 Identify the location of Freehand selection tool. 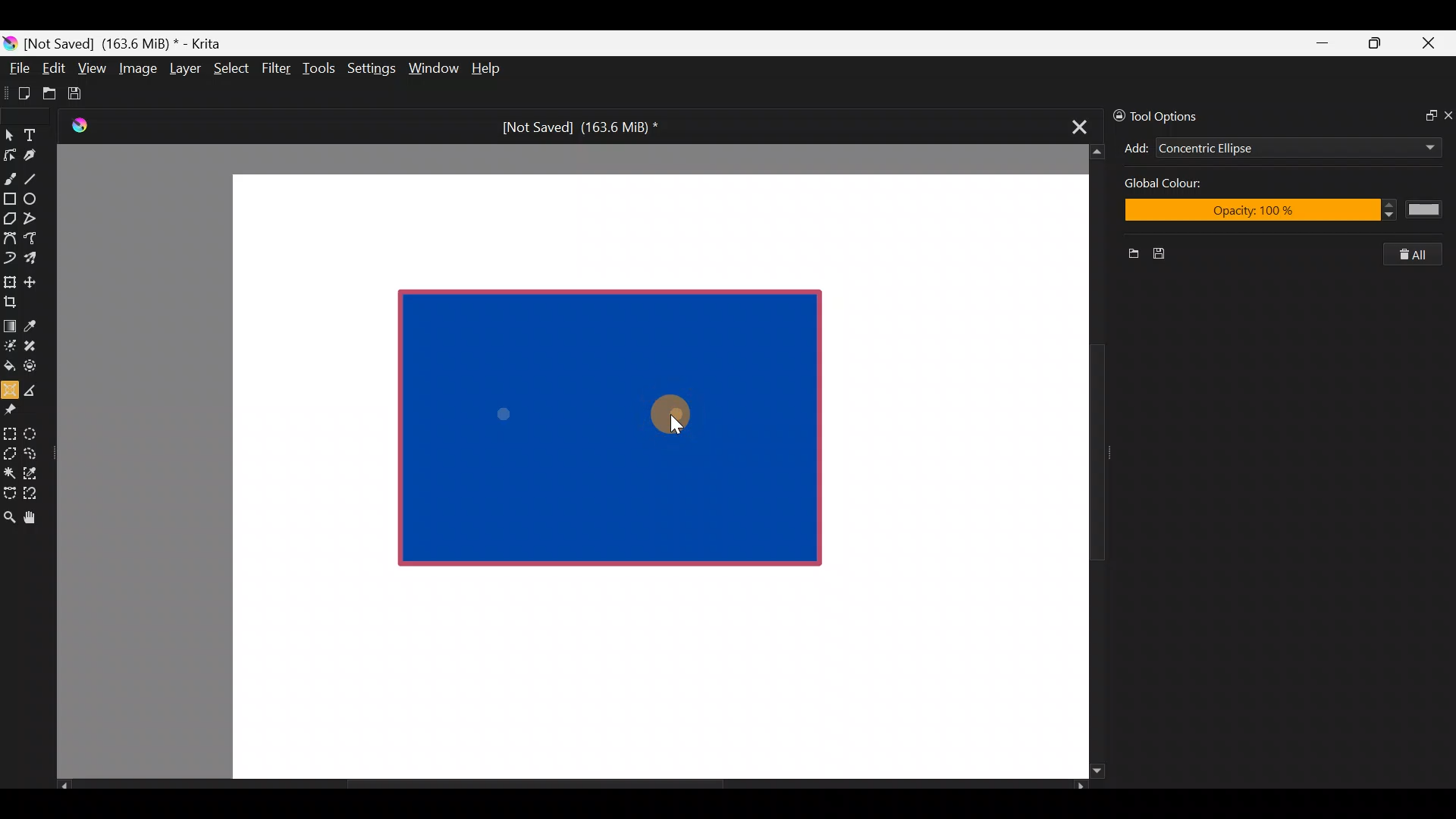
(33, 452).